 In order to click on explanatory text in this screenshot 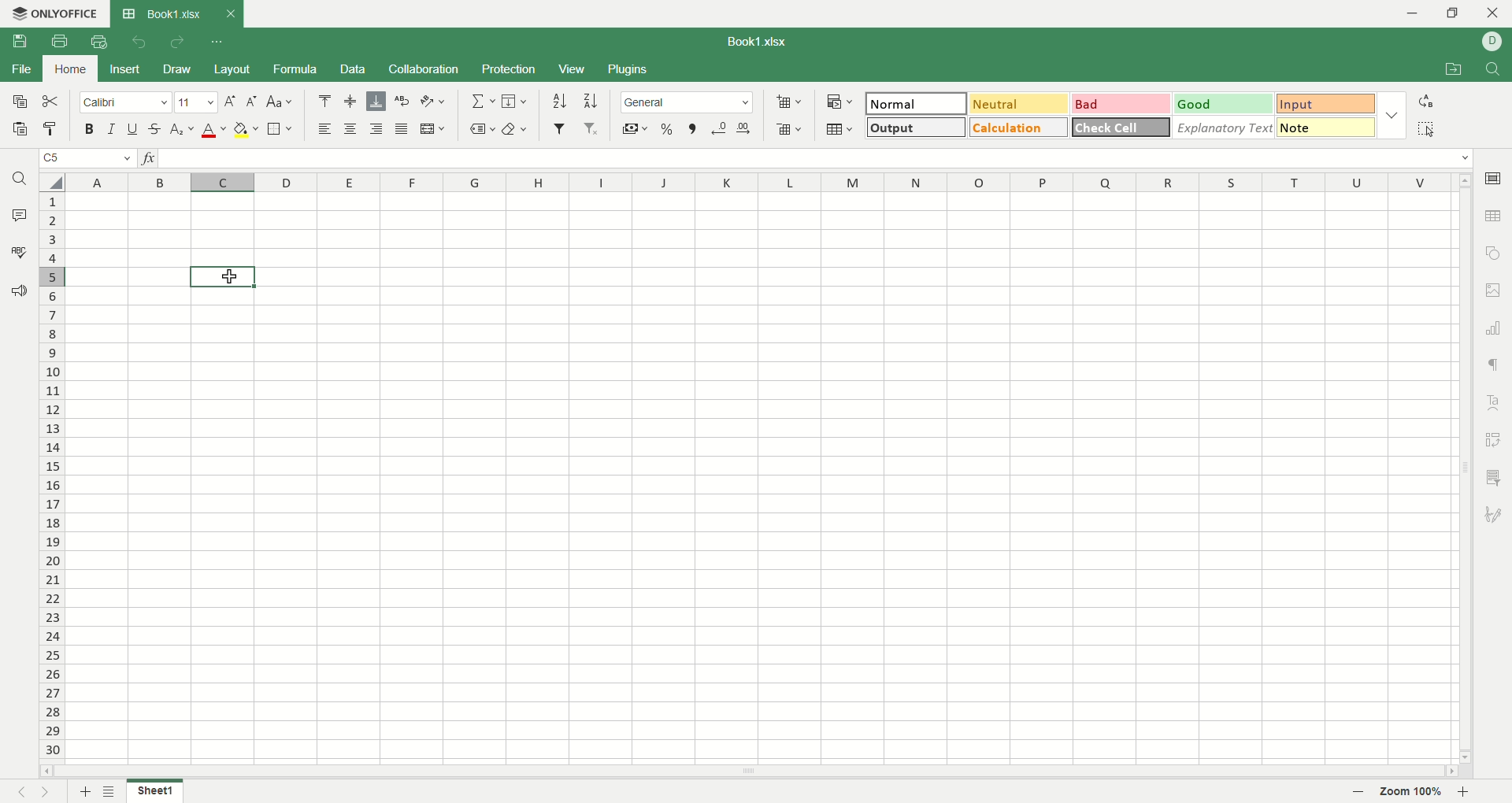, I will do `click(1225, 127)`.